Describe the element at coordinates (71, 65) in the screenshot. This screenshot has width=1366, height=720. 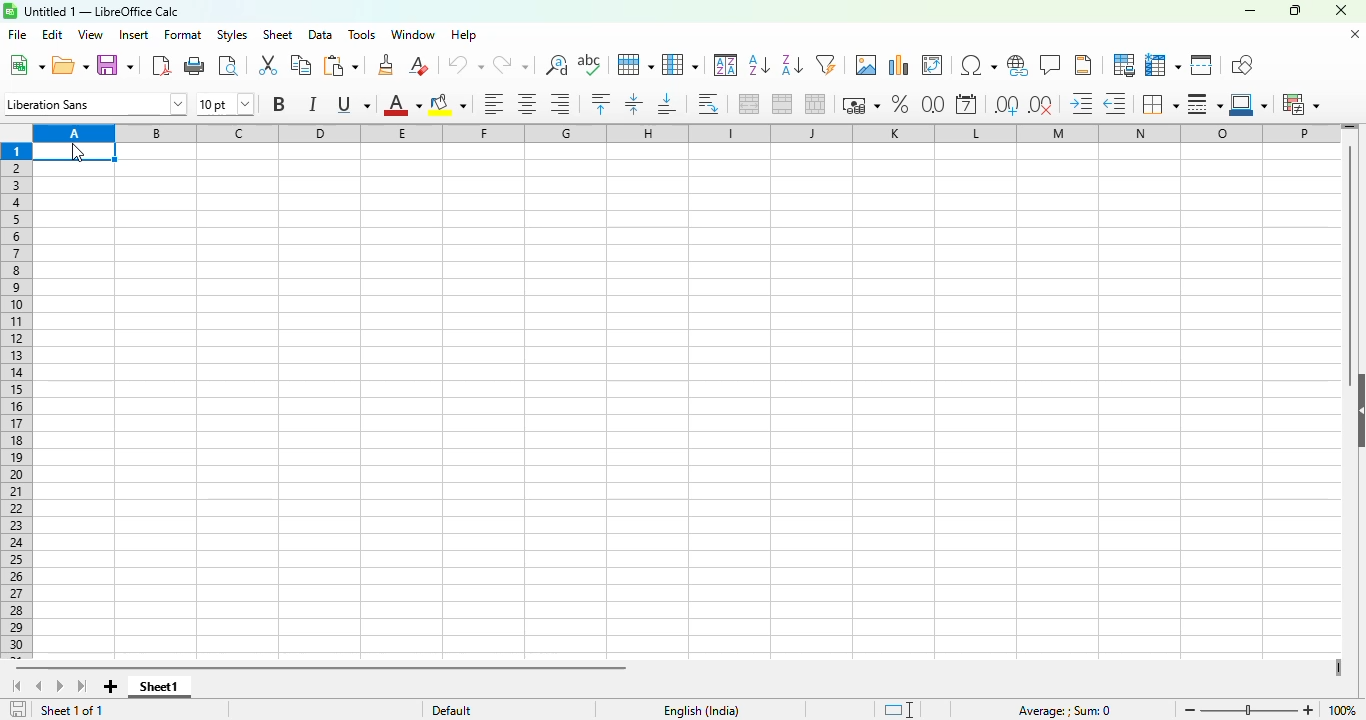
I see `open` at that location.